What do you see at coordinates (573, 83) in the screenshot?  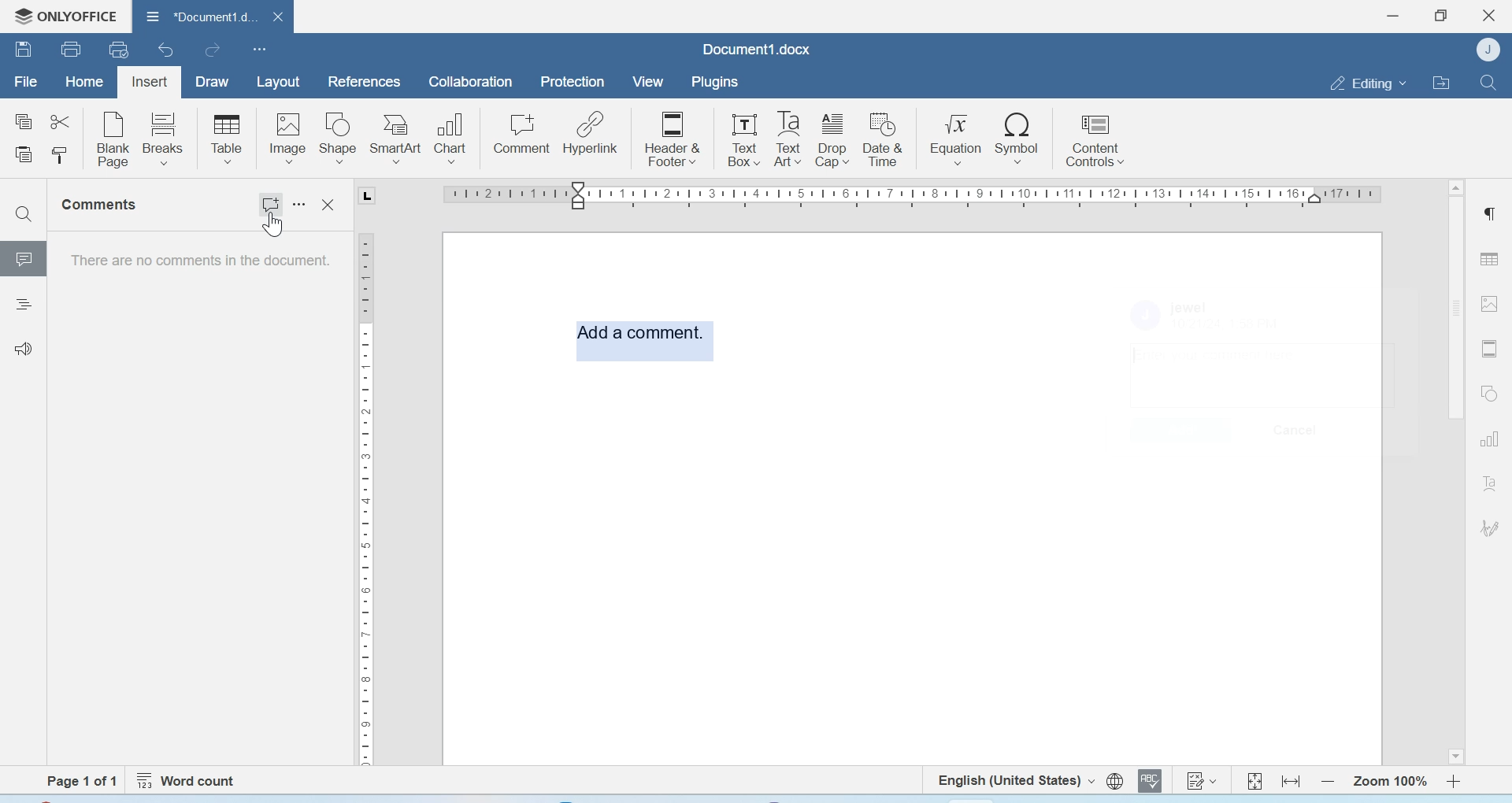 I see `Protection` at bounding box center [573, 83].